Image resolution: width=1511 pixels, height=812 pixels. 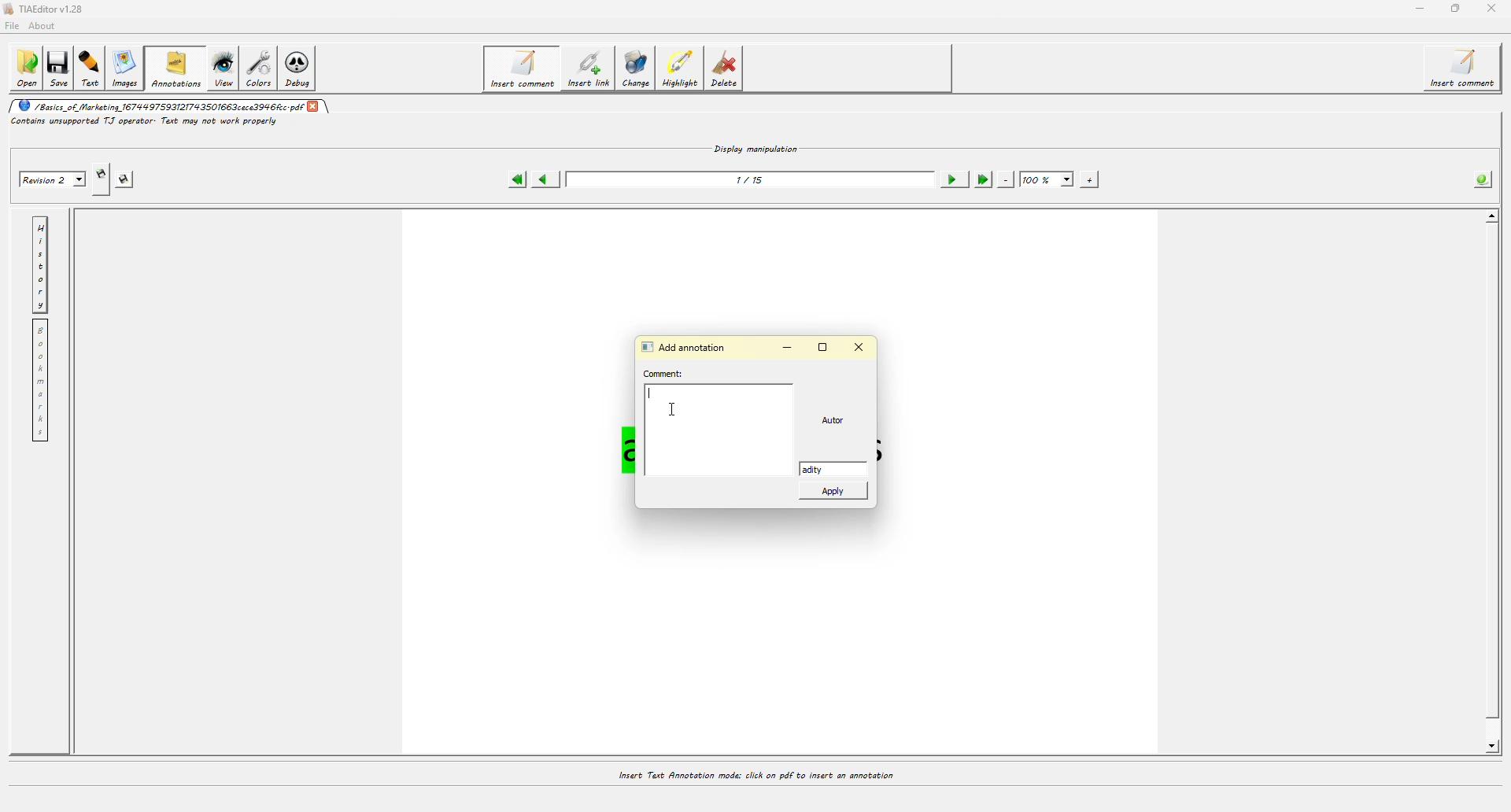 What do you see at coordinates (1089, 179) in the screenshot?
I see `zoom in` at bounding box center [1089, 179].